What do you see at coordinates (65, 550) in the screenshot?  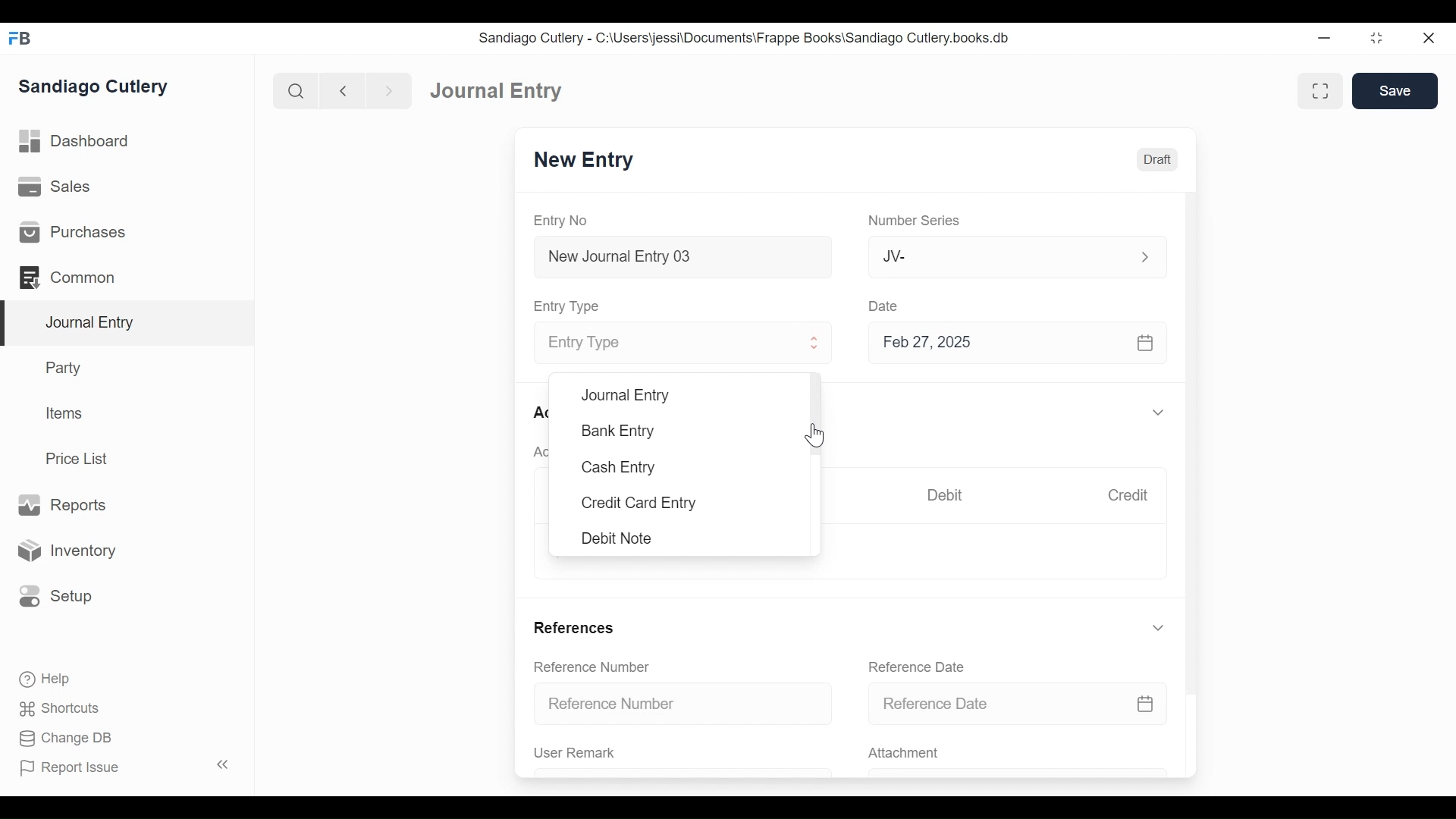 I see `Inventory` at bounding box center [65, 550].